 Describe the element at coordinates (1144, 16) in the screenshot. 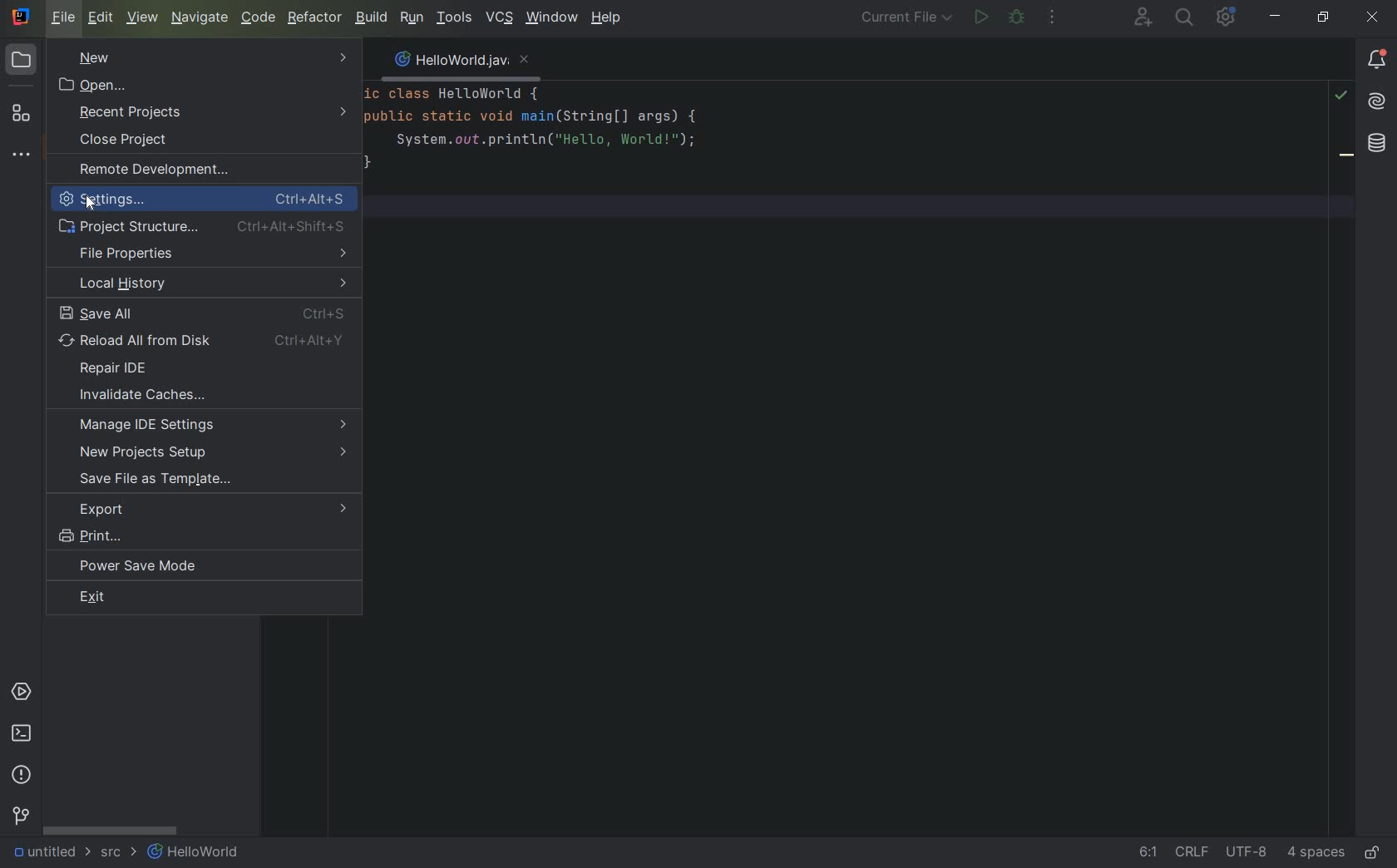

I see `code with me` at that location.